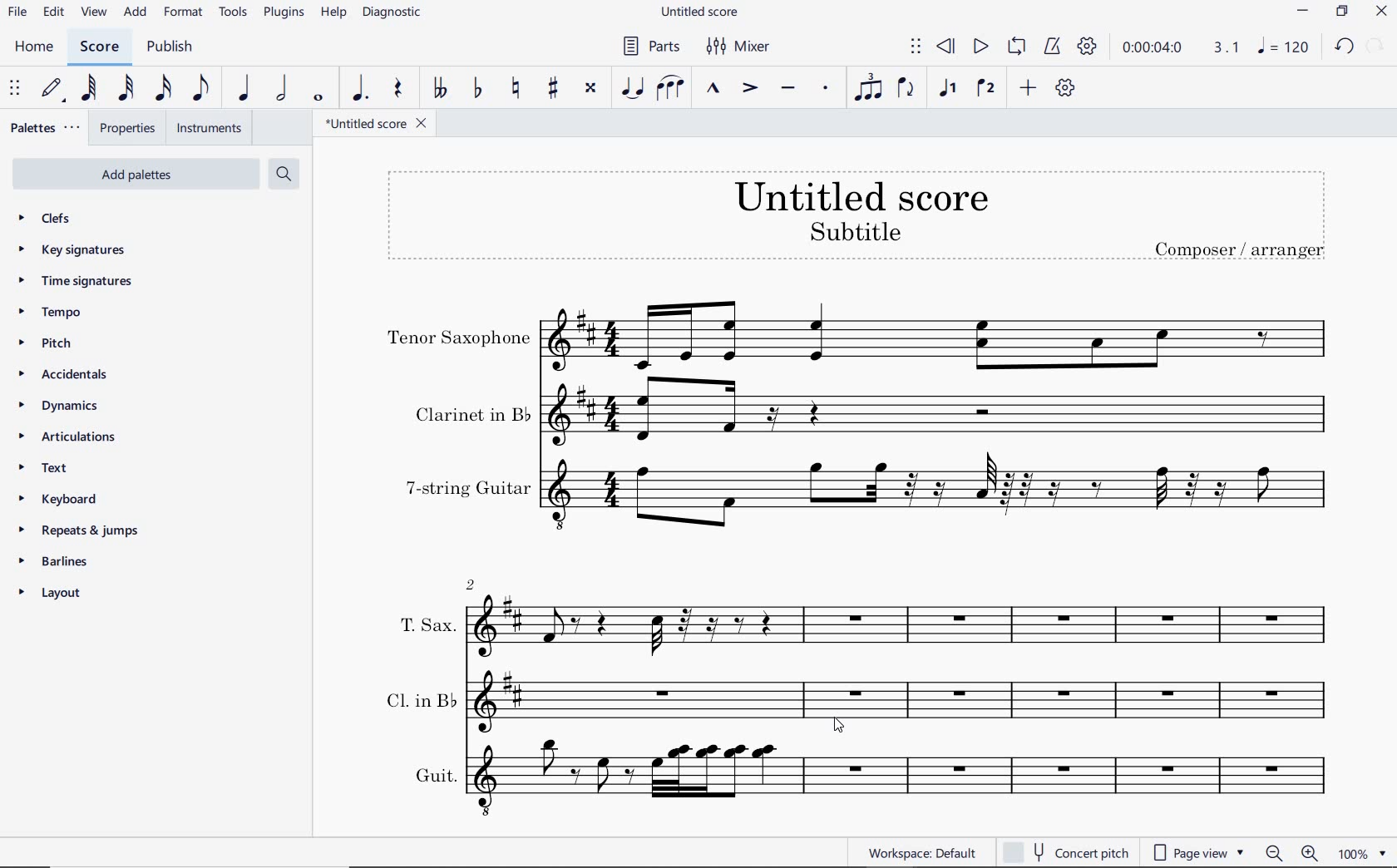 The width and height of the screenshot is (1397, 868). What do you see at coordinates (133, 174) in the screenshot?
I see `add palettes` at bounding box center [133, 174].